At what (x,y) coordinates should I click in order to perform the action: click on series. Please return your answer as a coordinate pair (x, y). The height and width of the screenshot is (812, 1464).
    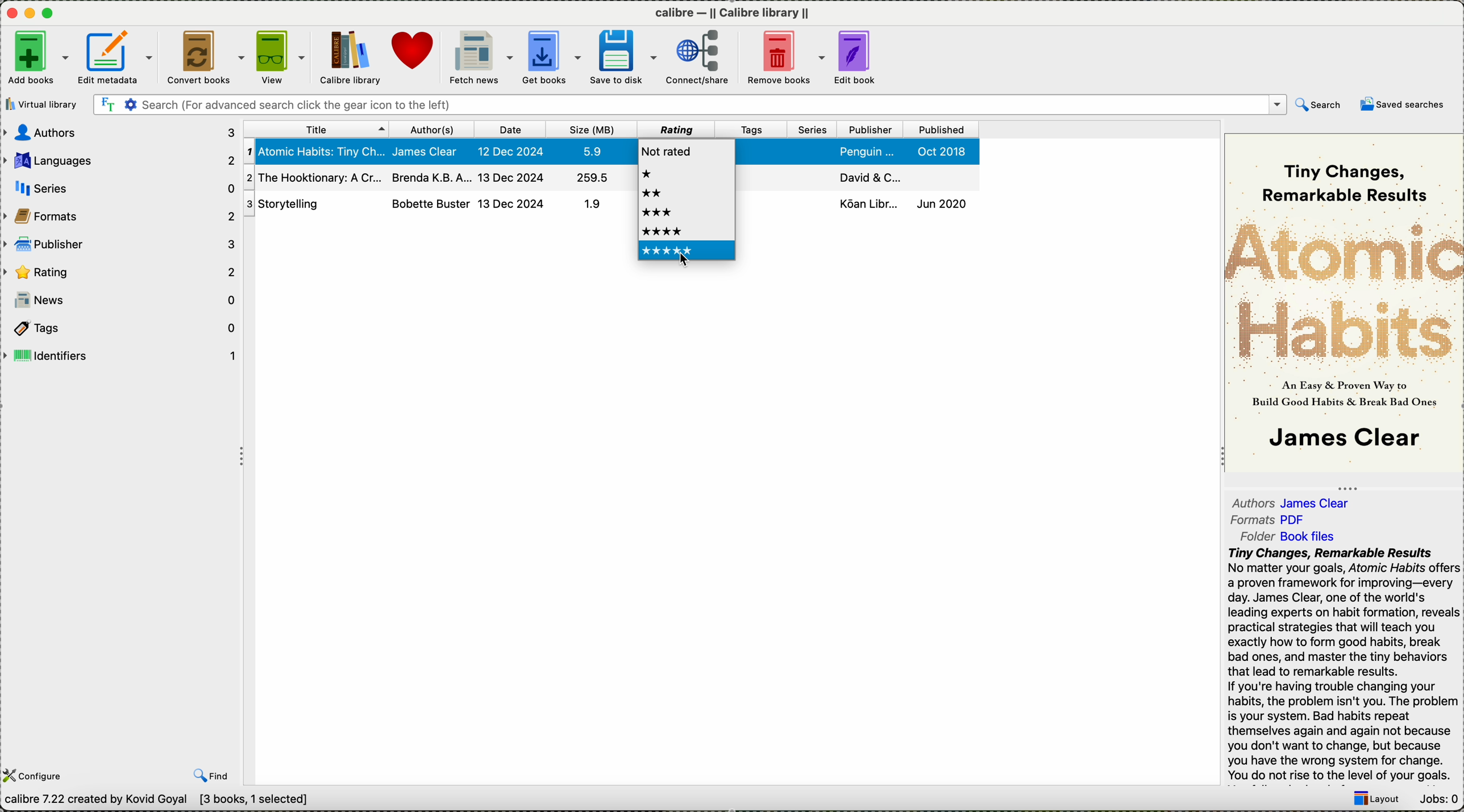
    Looking at the image, I should click on (813, 175).